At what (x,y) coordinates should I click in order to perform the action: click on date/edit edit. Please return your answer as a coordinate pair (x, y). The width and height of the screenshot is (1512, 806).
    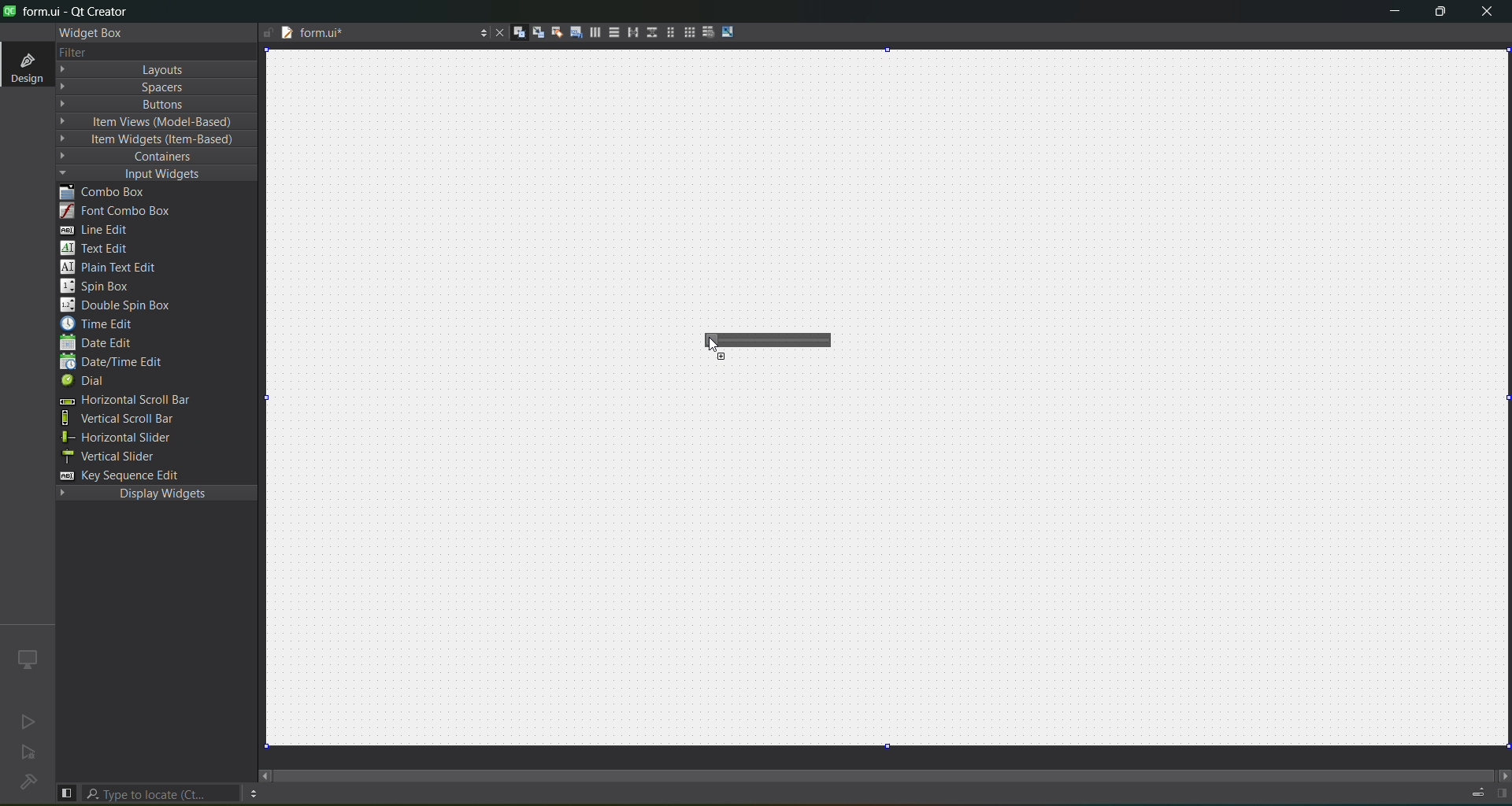
    Looking at the image, I should click on (114, 362).